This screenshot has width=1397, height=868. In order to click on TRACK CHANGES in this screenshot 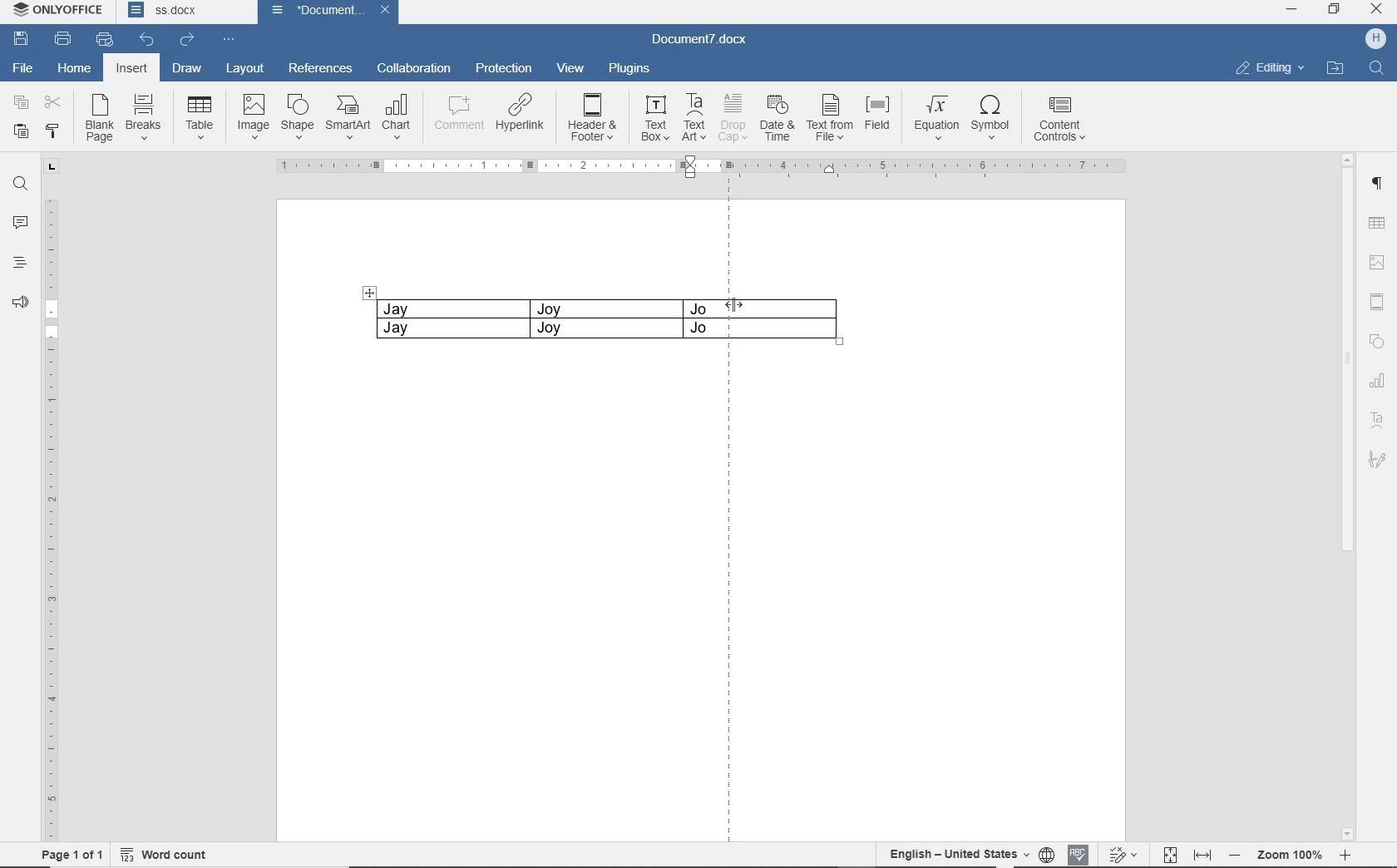, I will do `click(1126, 854)`.